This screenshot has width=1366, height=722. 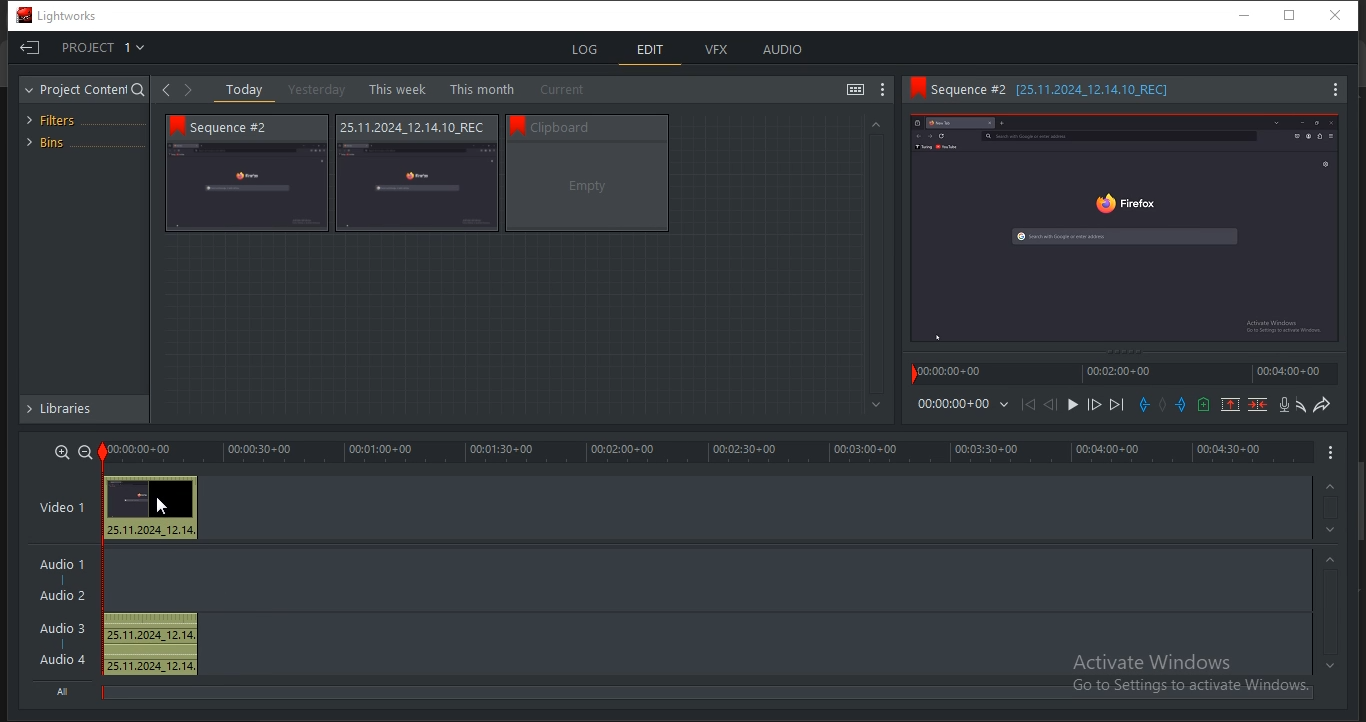 What do you see at coordinates (1339, 14) in the screenshot?
I see `Close` at bounding box center [1339, 14].